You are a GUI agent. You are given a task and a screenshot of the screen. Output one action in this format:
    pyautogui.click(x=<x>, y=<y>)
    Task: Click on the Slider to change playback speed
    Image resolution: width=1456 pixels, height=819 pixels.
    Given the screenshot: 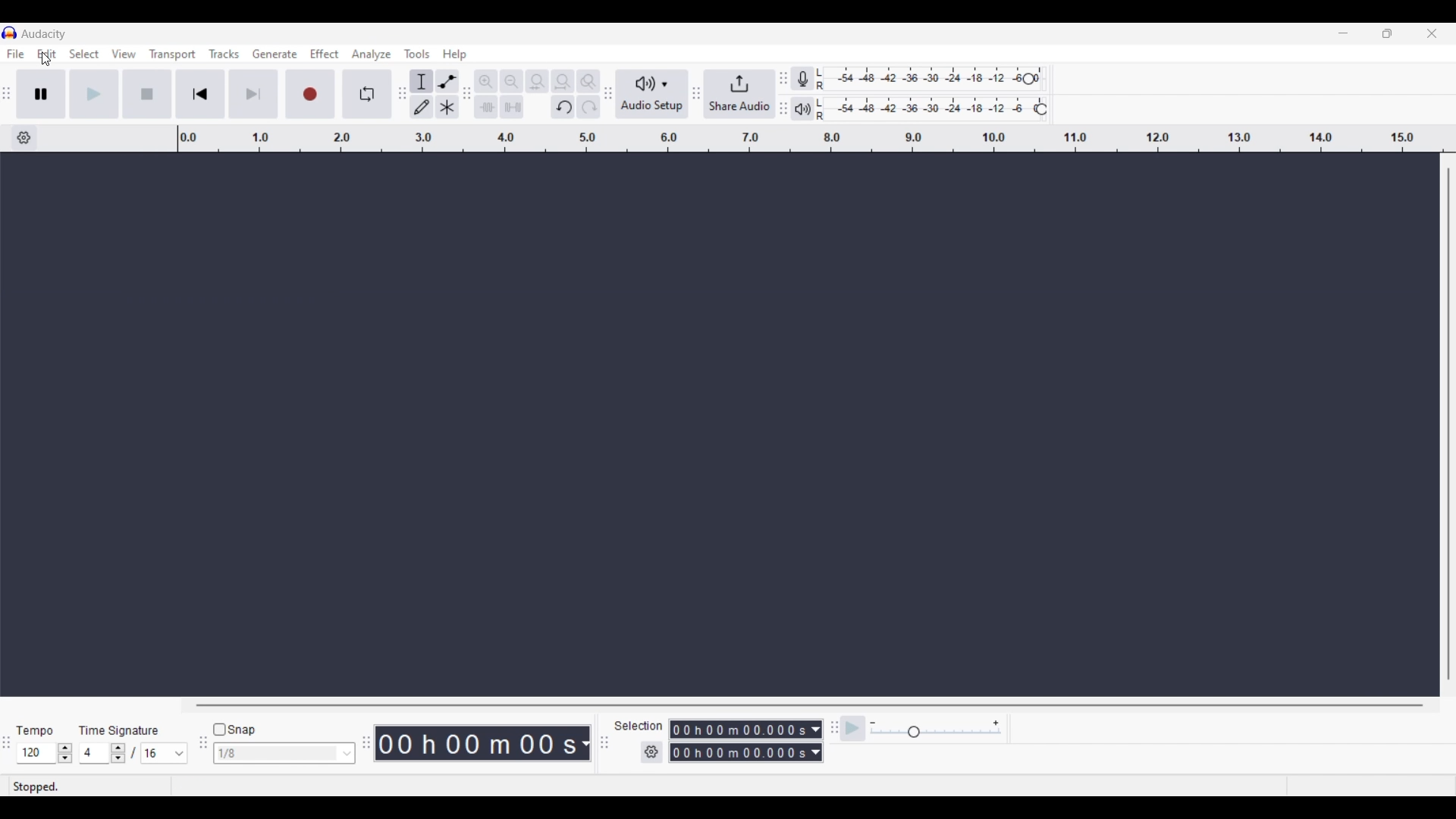 What is the action you would take?
    pyautogui.click(x=936, y=733)
    